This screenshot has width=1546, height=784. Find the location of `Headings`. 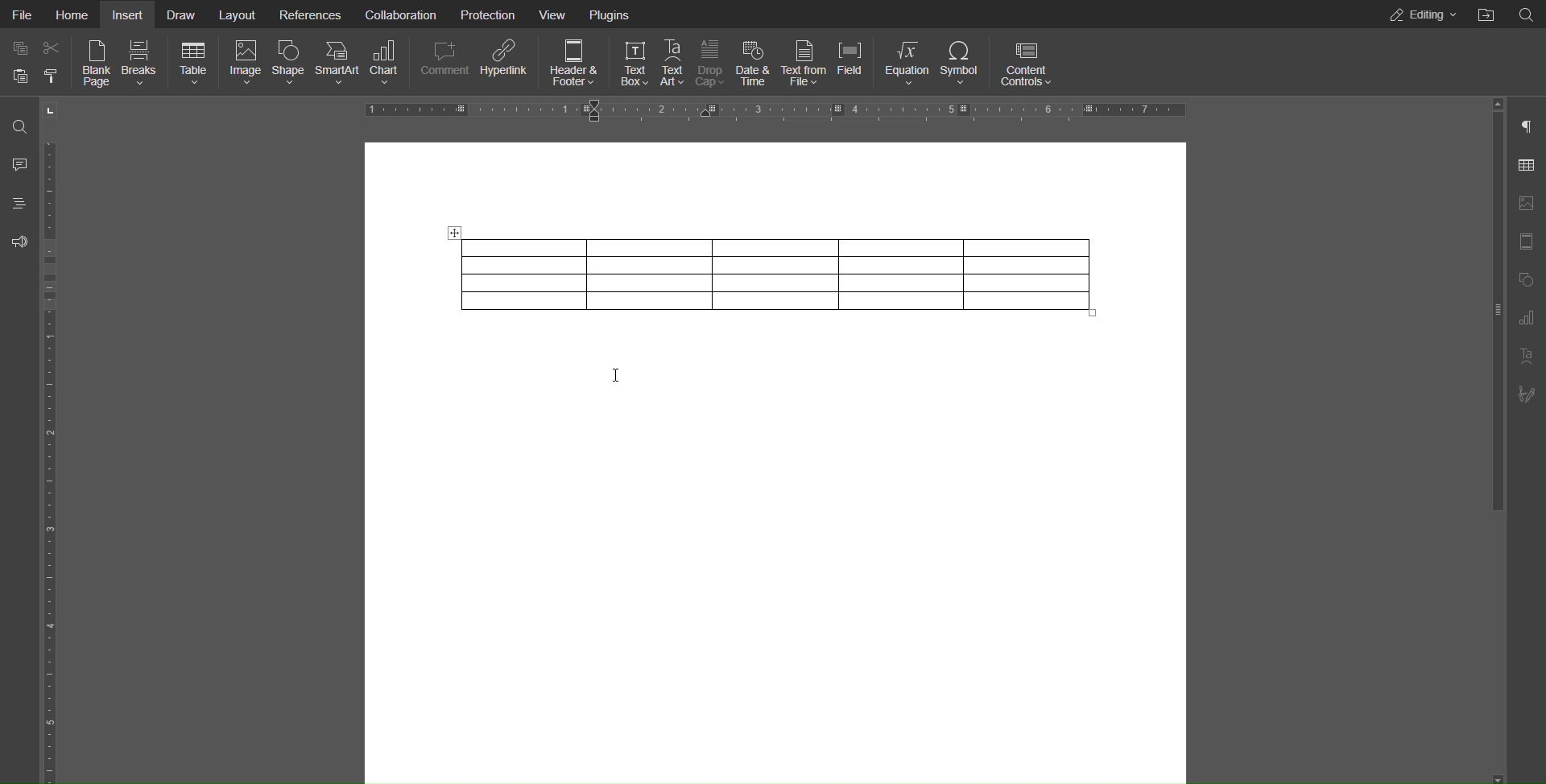

Headings is located at coordinates (18, 200).